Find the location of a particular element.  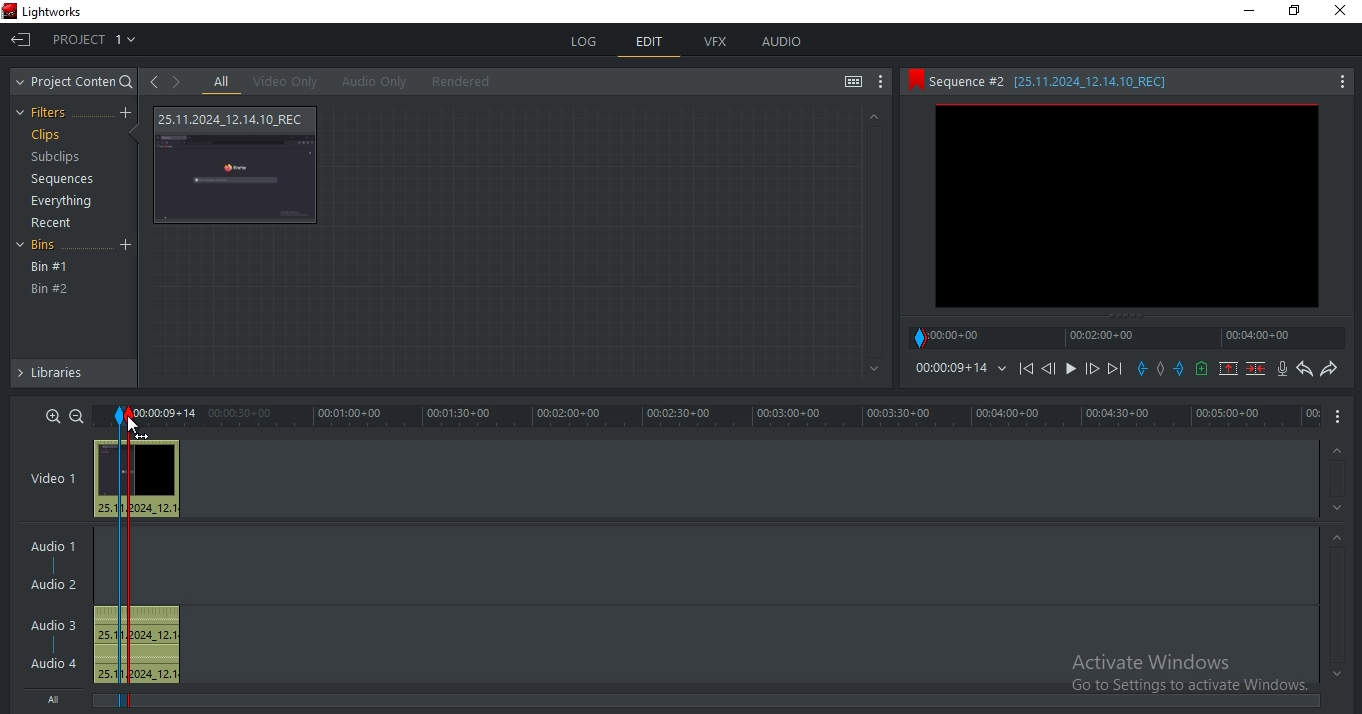

sequence #2 is located at coordinates (1105, 82).